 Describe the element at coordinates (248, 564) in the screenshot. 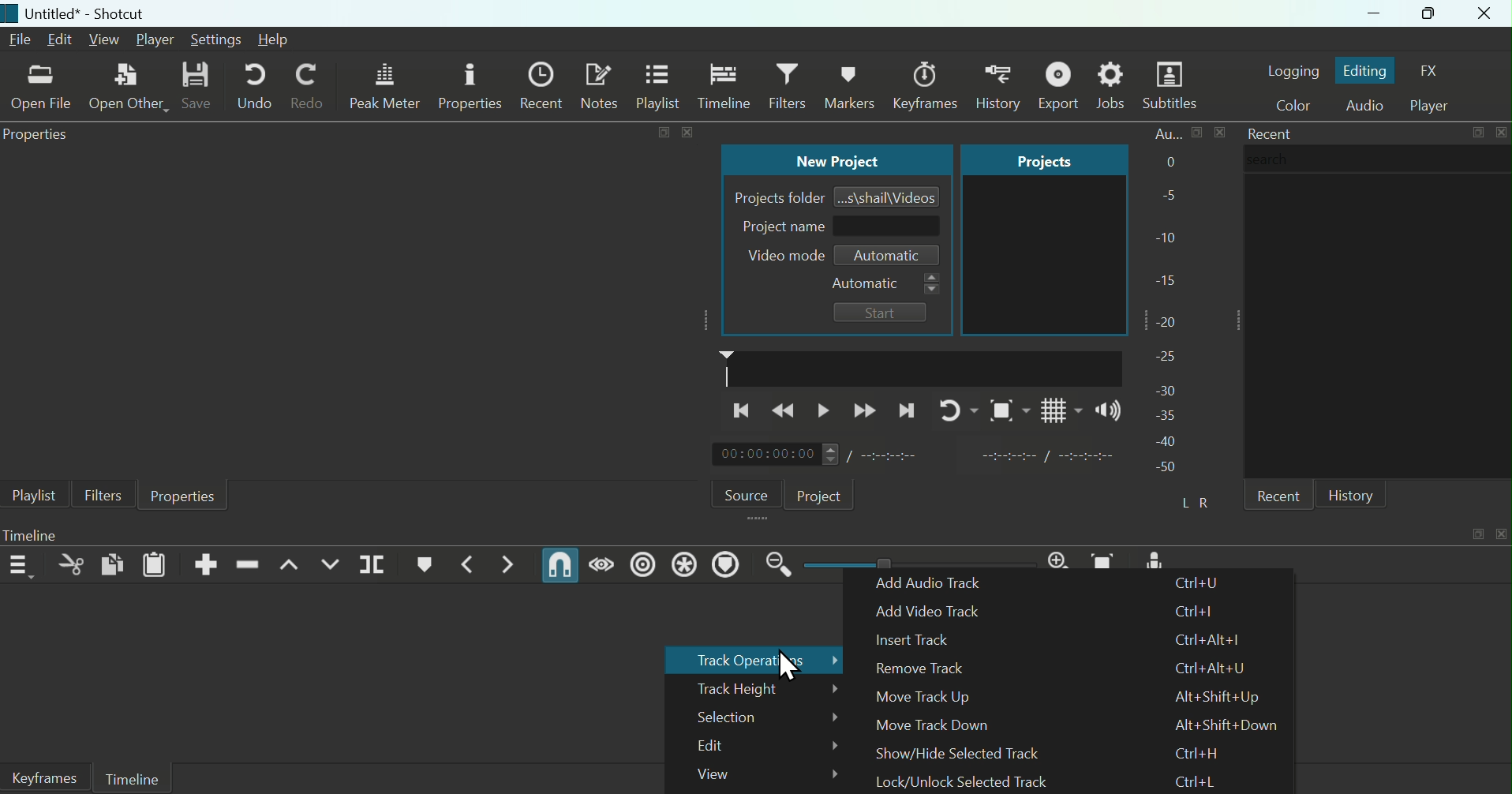

I see `Ripple/Delete` at that location.